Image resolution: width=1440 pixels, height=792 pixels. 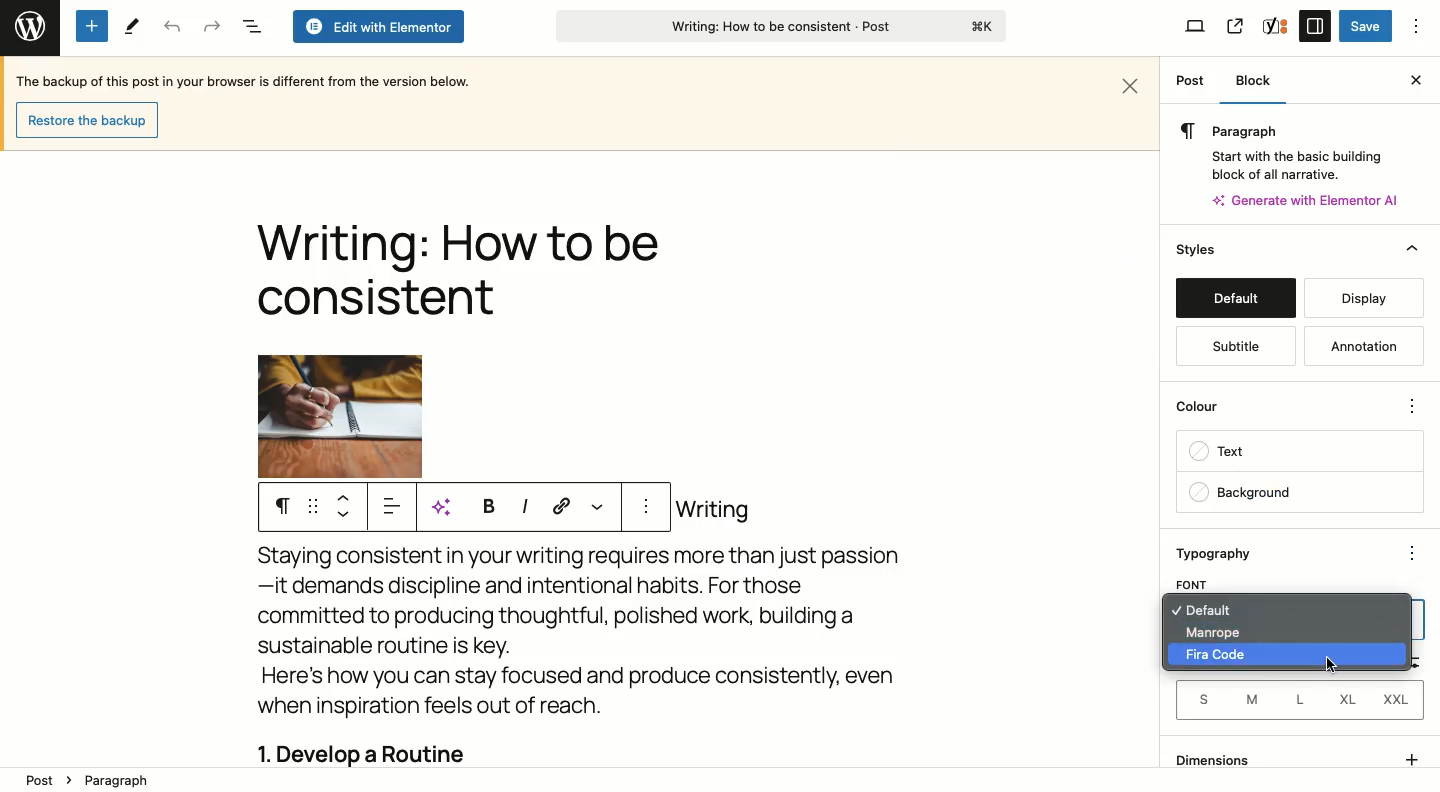 What do you see at coordinates (1194, 583) in the screenshot?
I see `FONT` at bounding box center [1194, 583].